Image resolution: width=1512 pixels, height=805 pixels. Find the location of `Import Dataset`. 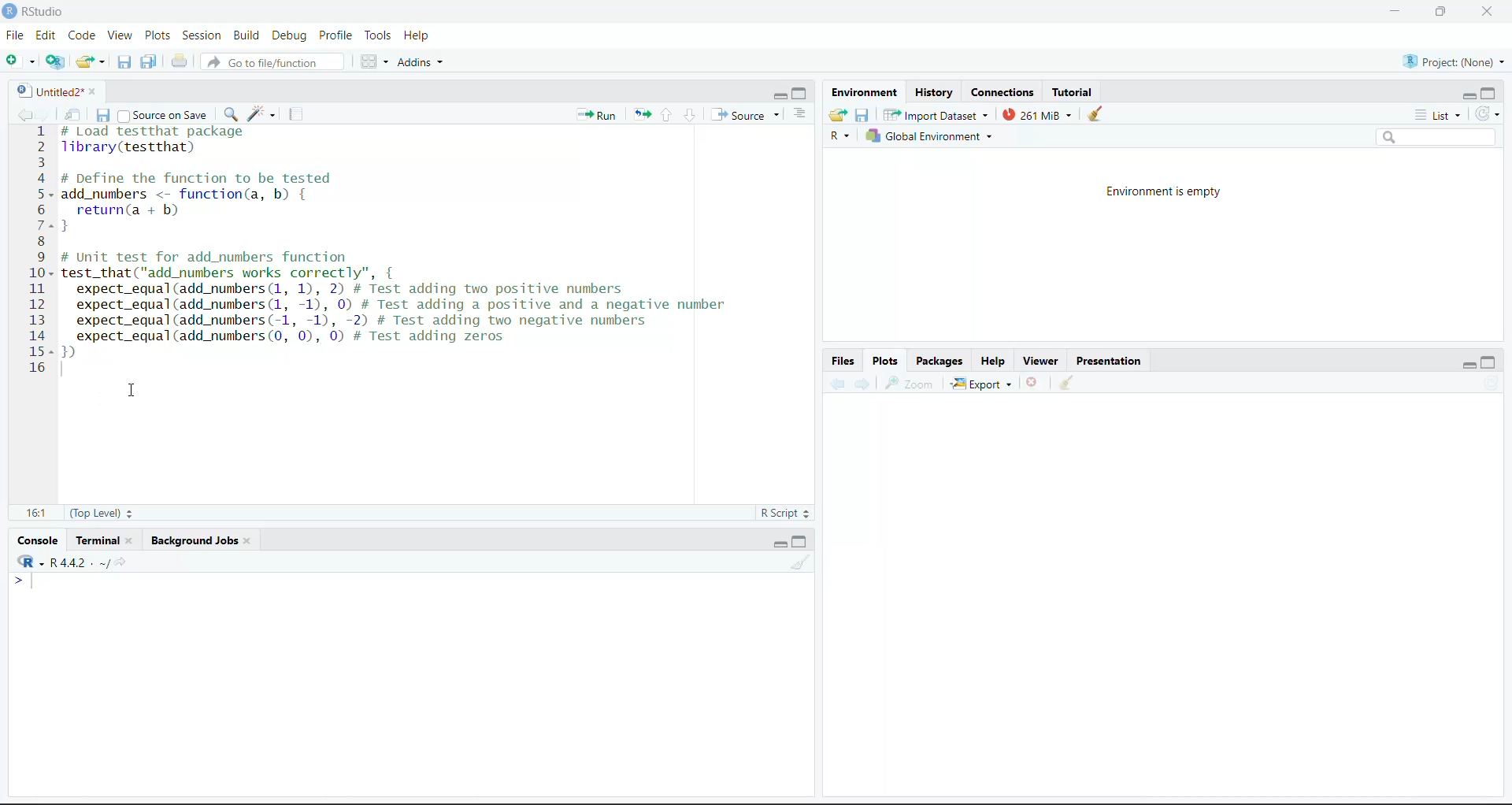

Import Dataset is located at coordinates (936, 115).